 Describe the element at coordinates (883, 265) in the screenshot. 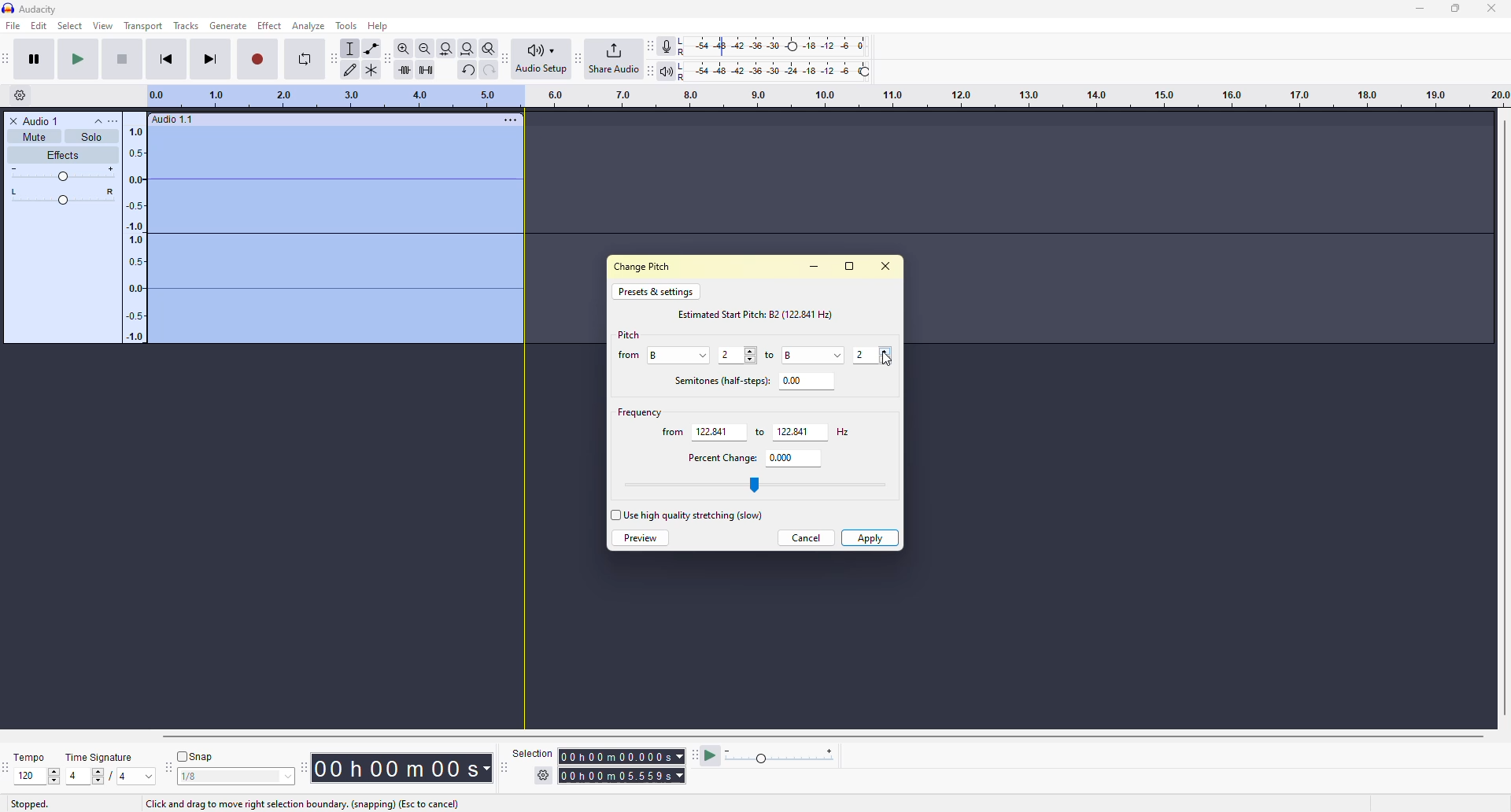

I see `close` at that location.